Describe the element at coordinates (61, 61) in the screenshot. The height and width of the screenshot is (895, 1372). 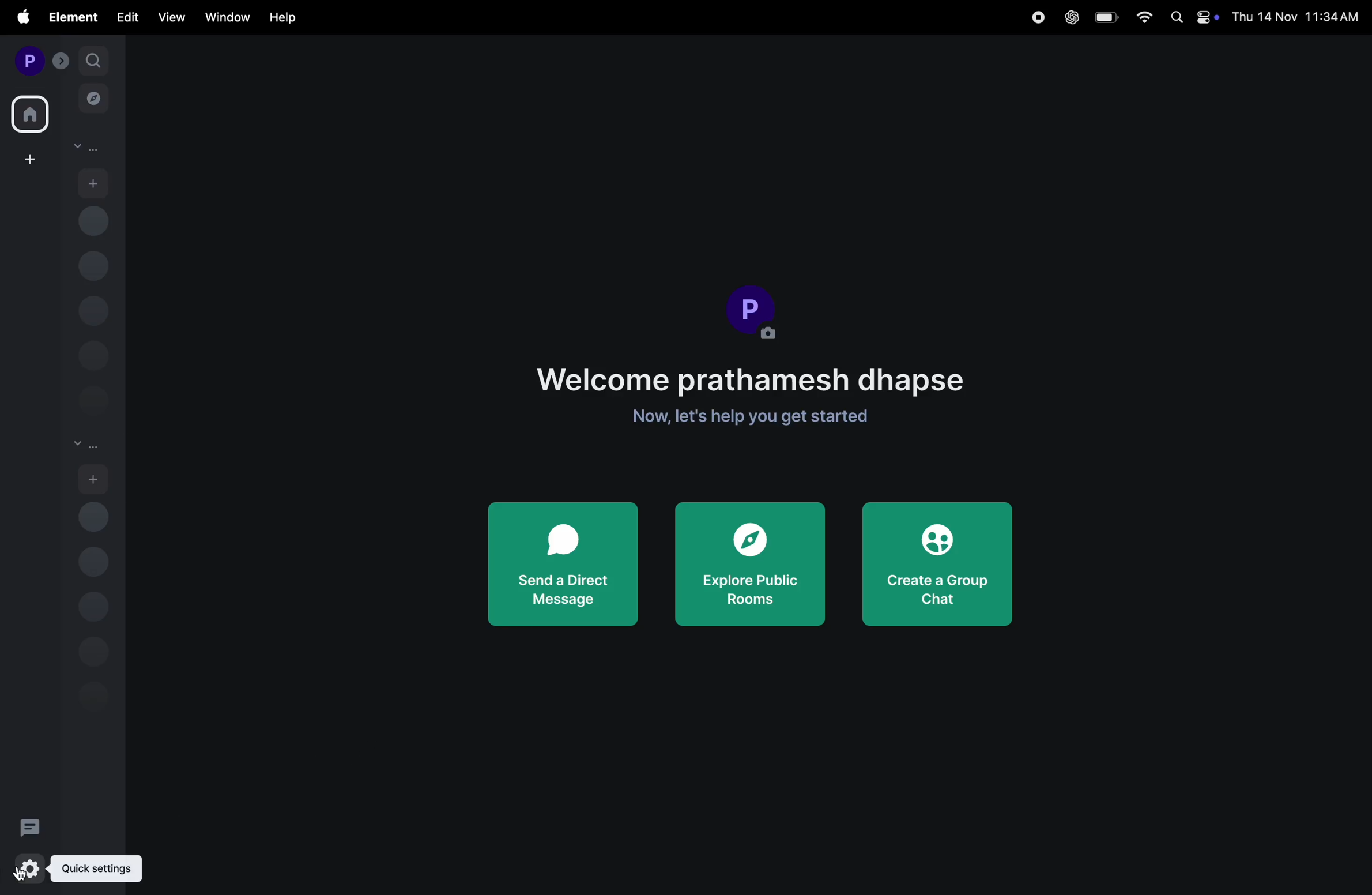
I see `expand` at that location.